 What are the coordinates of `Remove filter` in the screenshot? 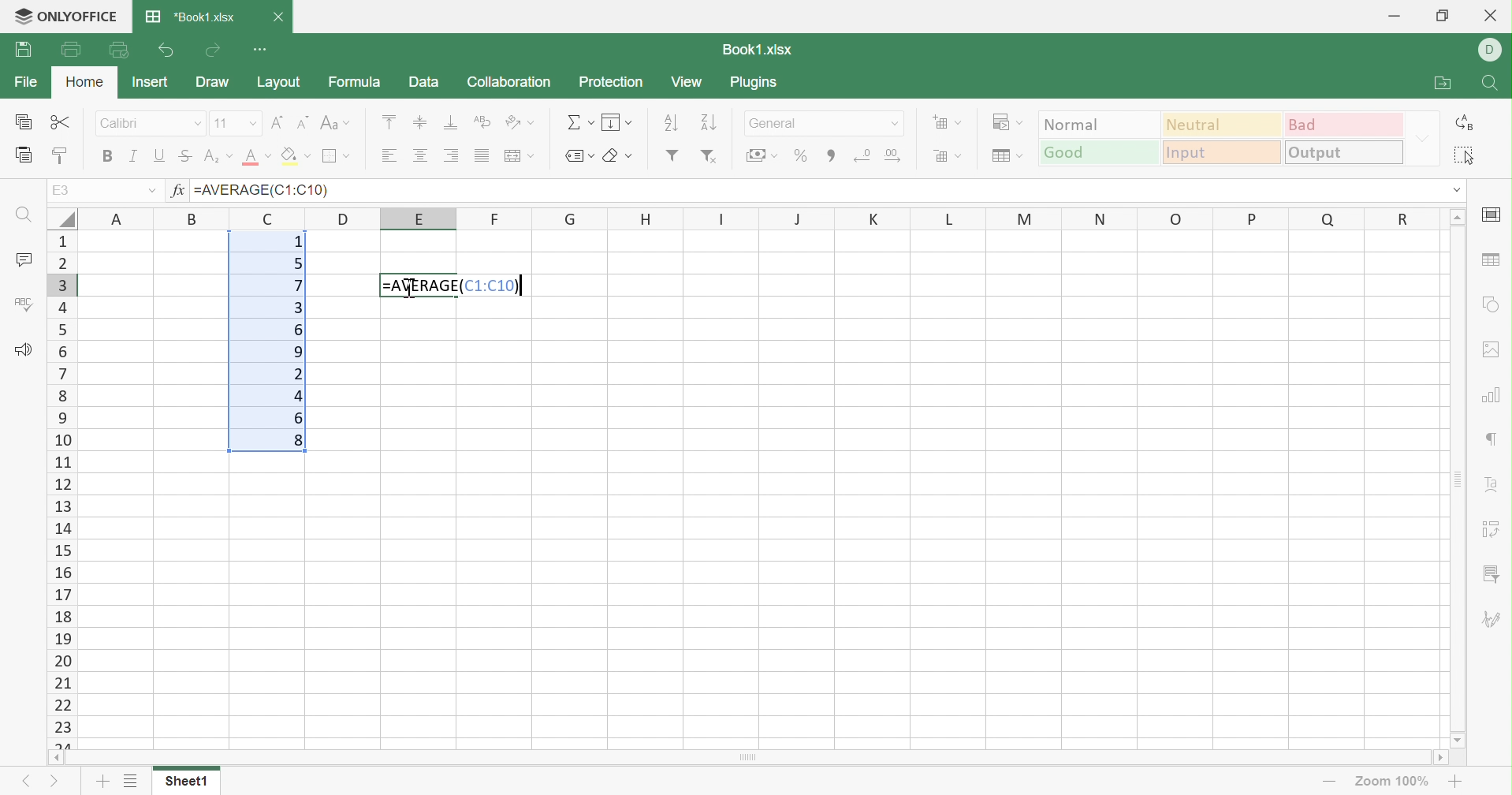 It's located at (710, 157).